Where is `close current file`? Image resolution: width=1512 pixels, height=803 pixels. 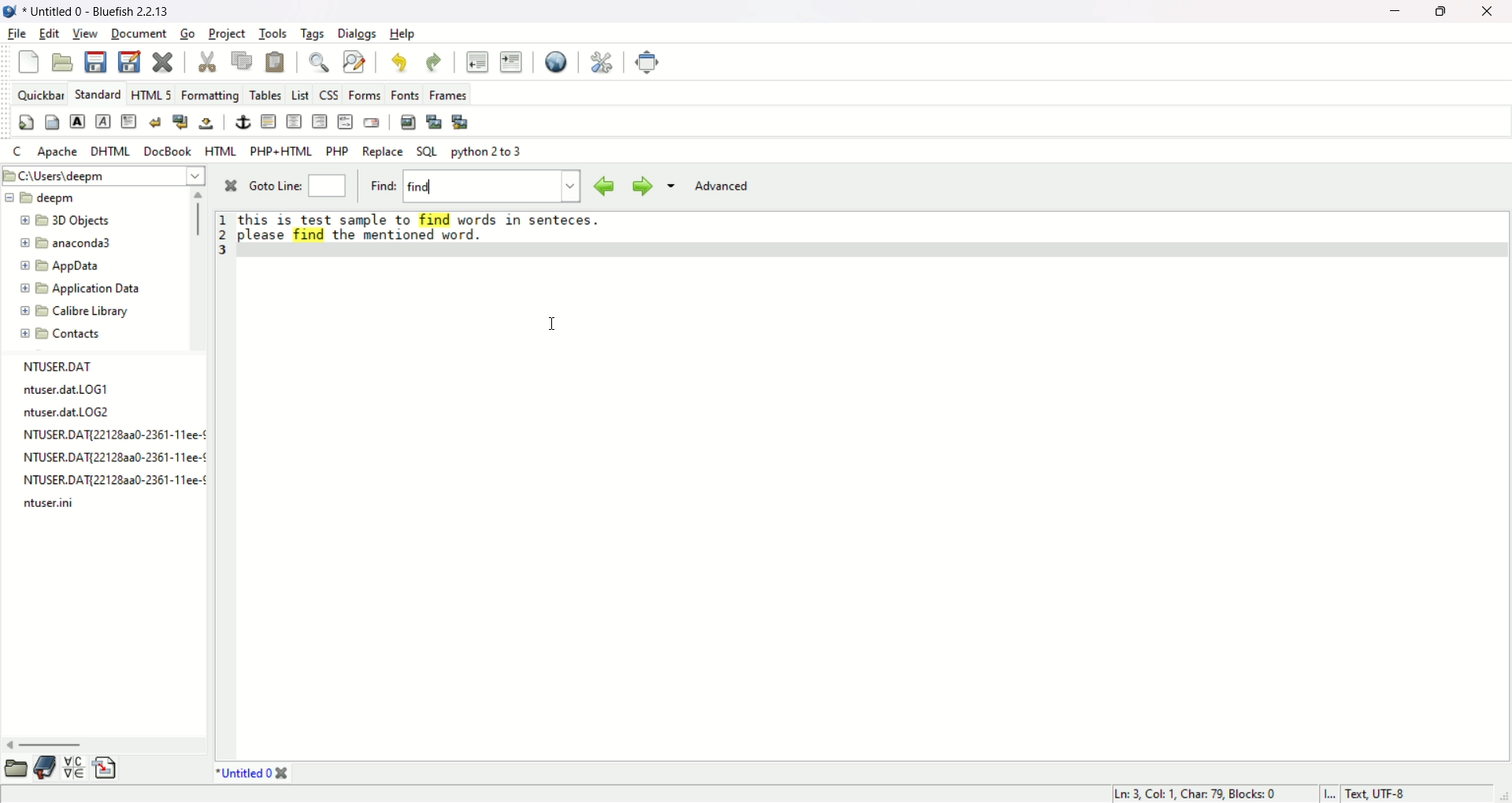 close current file is located at coordinates (162, 61).